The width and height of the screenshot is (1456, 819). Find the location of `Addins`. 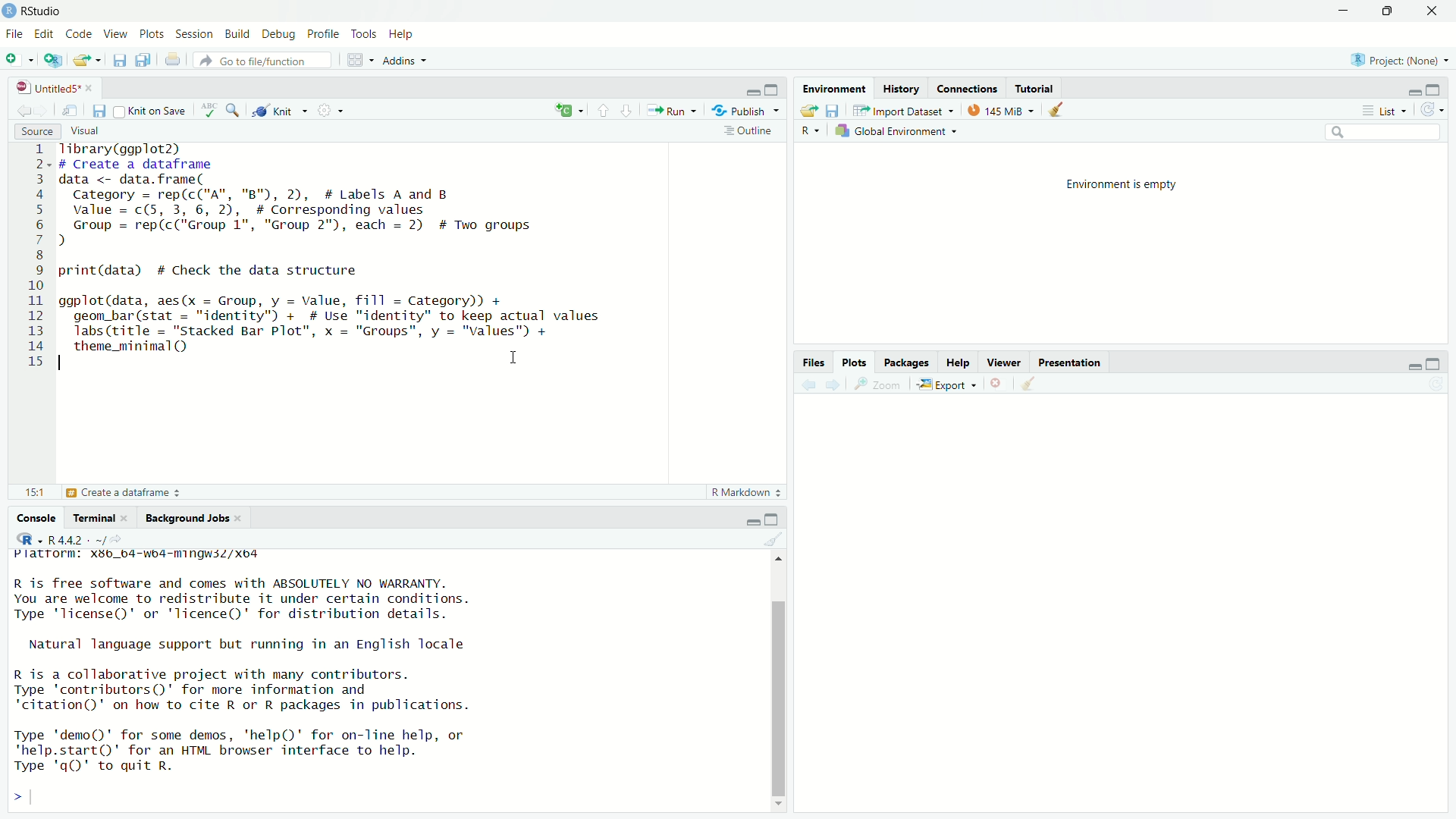

Addins is located at coordinates (408, 62).